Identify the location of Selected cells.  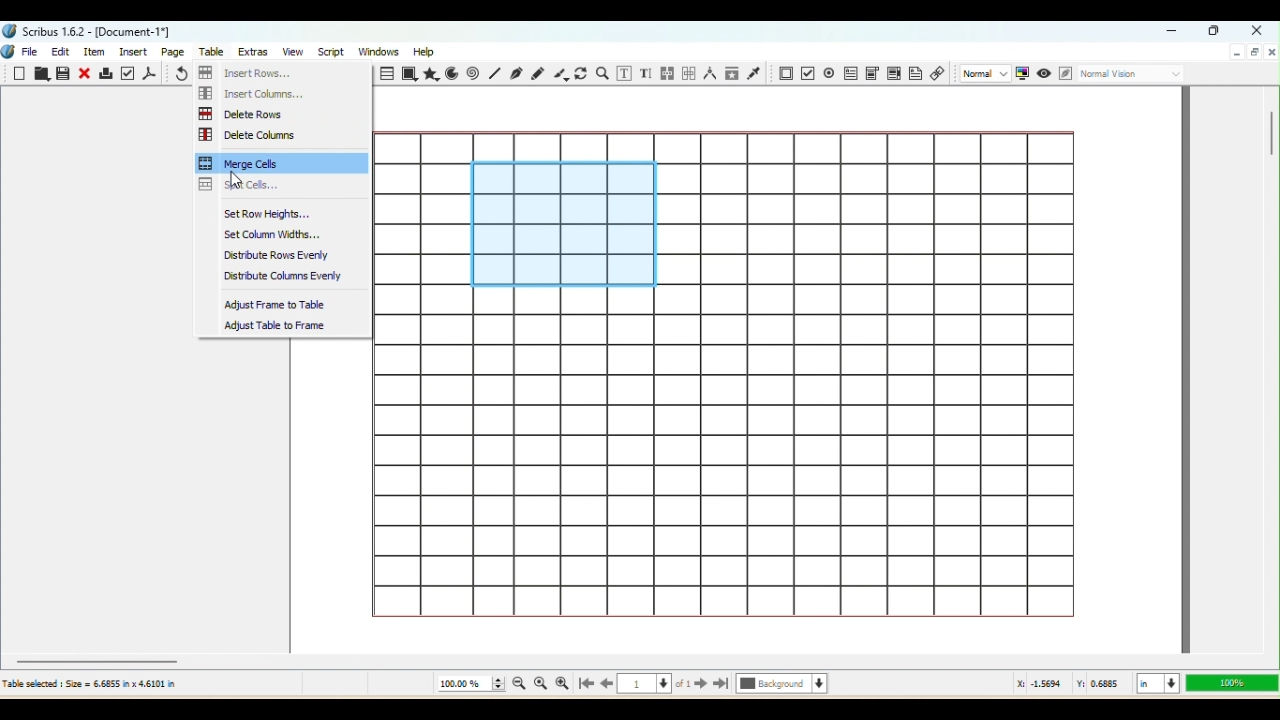
(563, 224).